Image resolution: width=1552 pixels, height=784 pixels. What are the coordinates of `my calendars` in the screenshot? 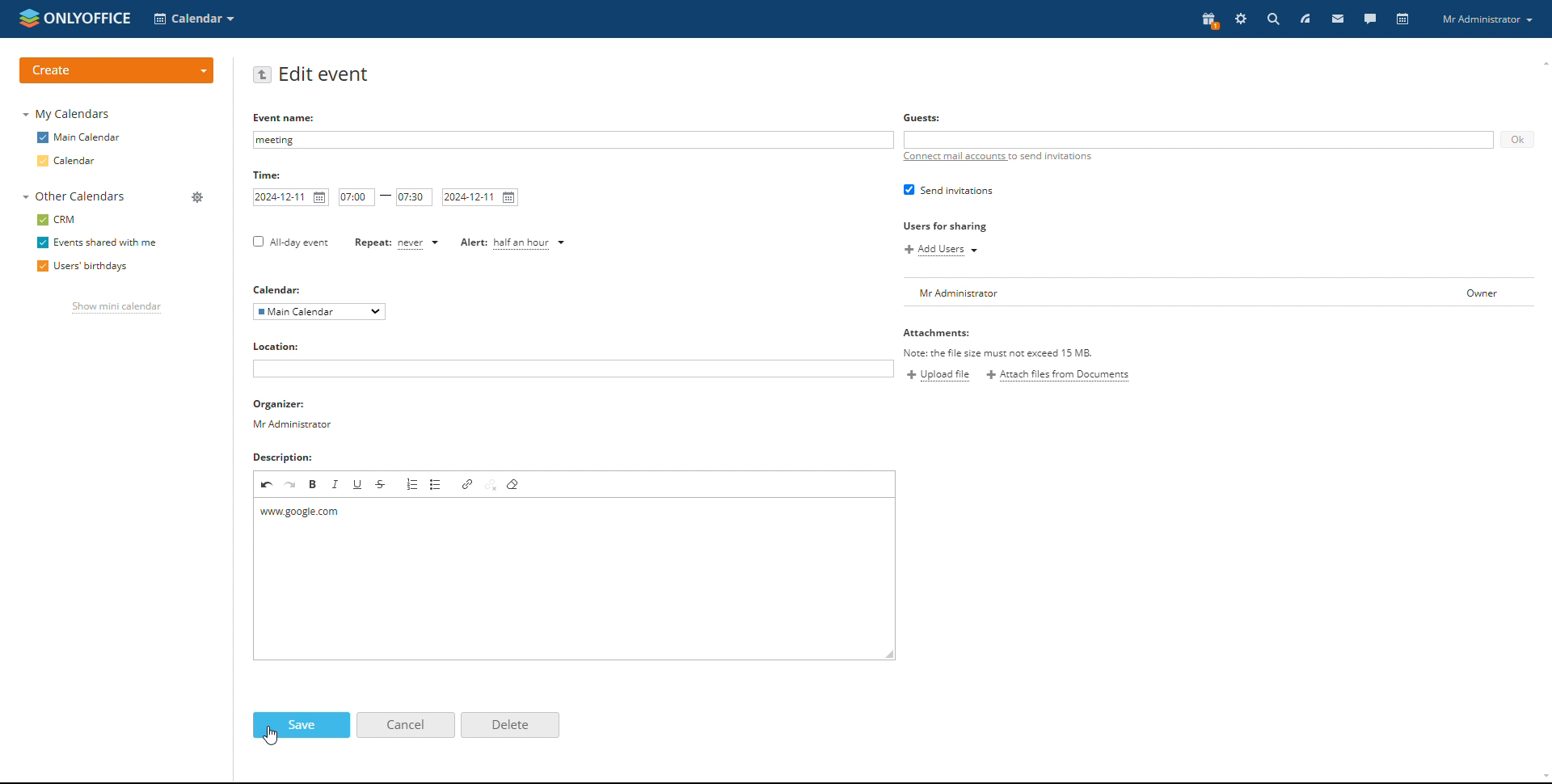 It's located at (69, 113).